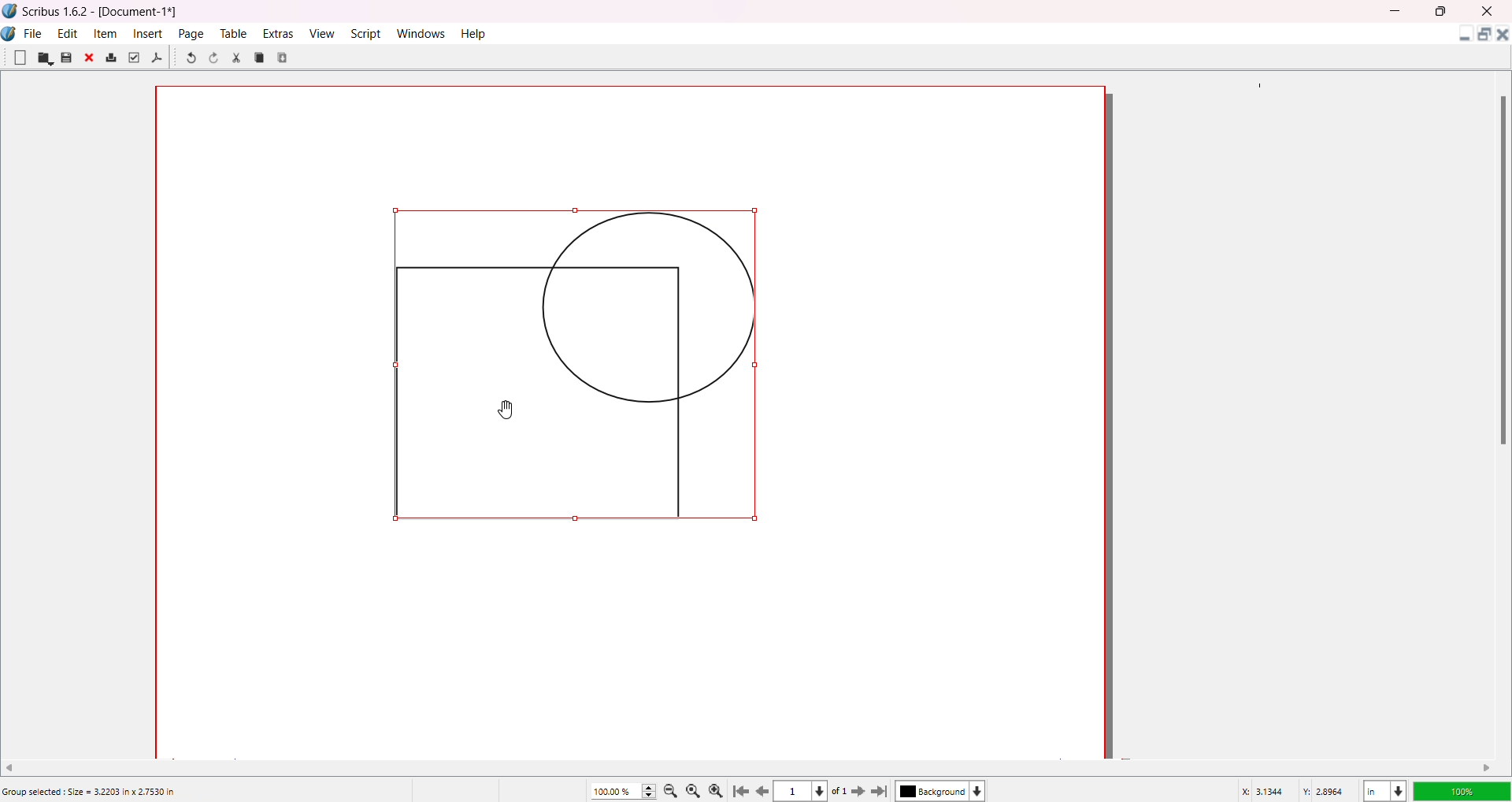 The image size is (1512, 802). Describe the element at coordinates (107, 33) in the screenshot. I see `Item` at that location.